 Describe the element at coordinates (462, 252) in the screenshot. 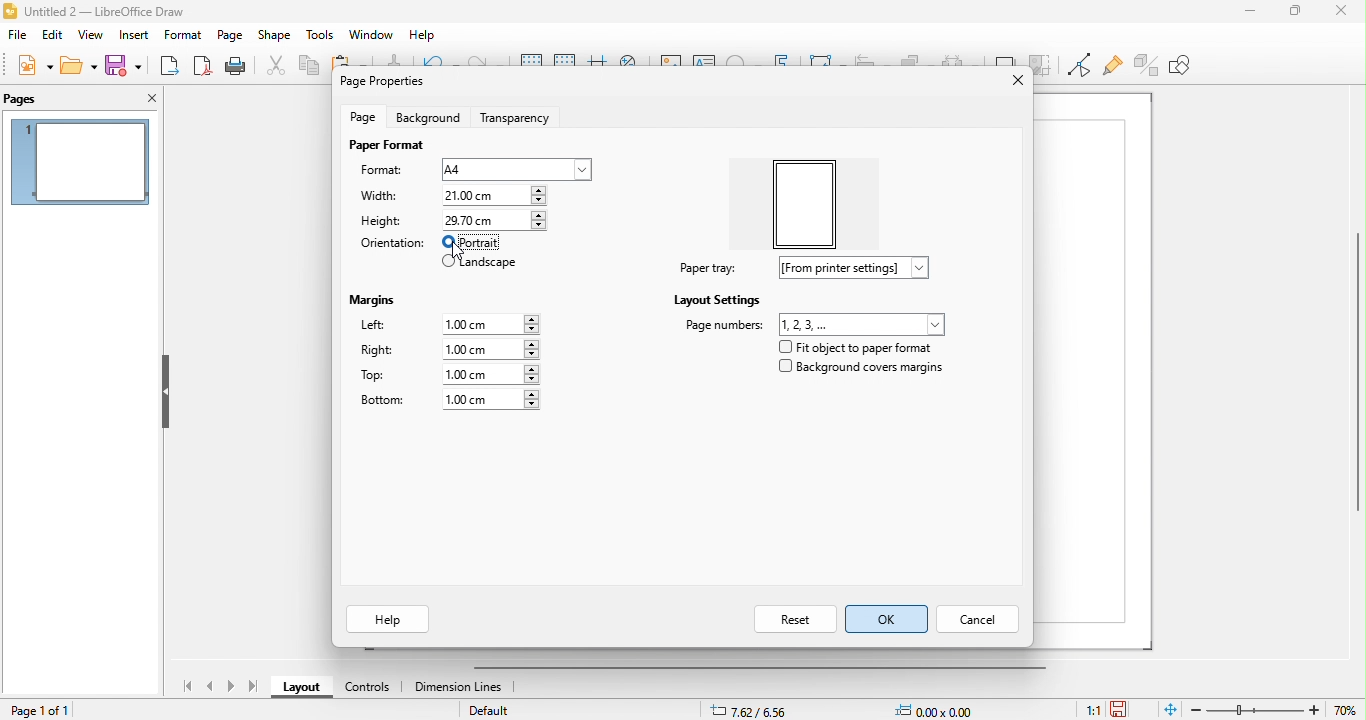

I see `Cursor` at that location.